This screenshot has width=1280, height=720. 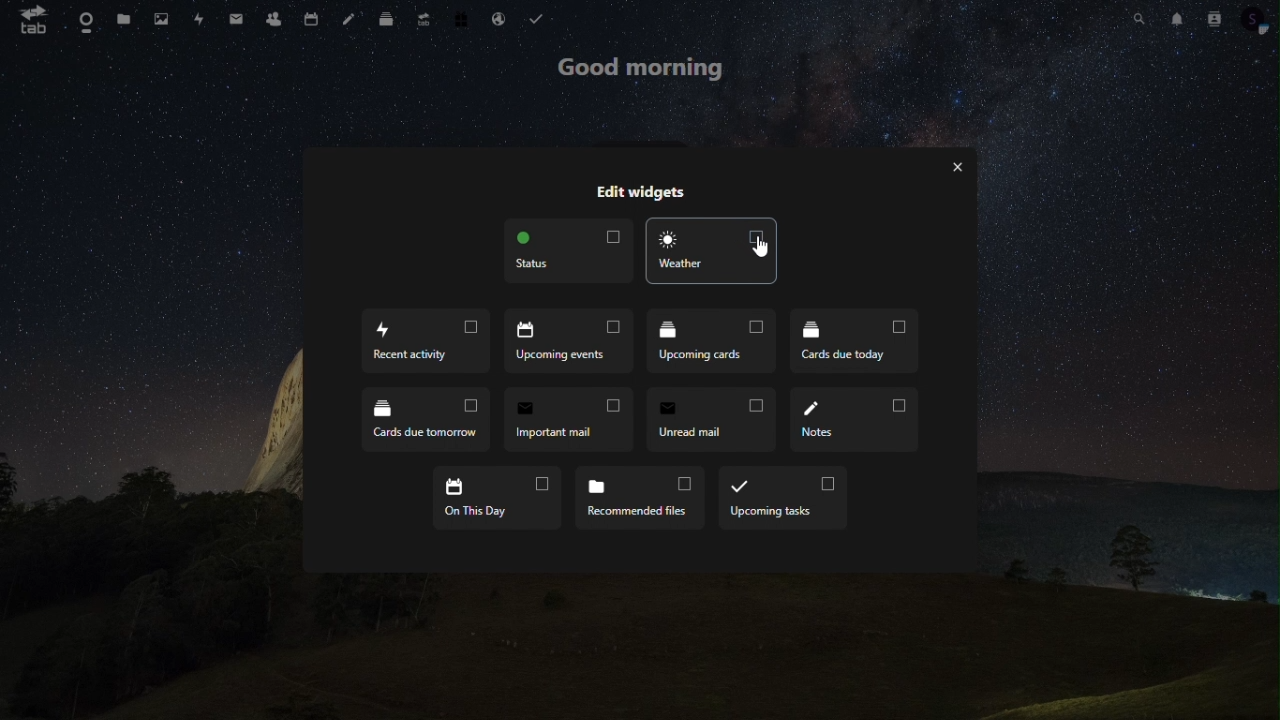 I want to click on calendar, so click(x=309, y=19).